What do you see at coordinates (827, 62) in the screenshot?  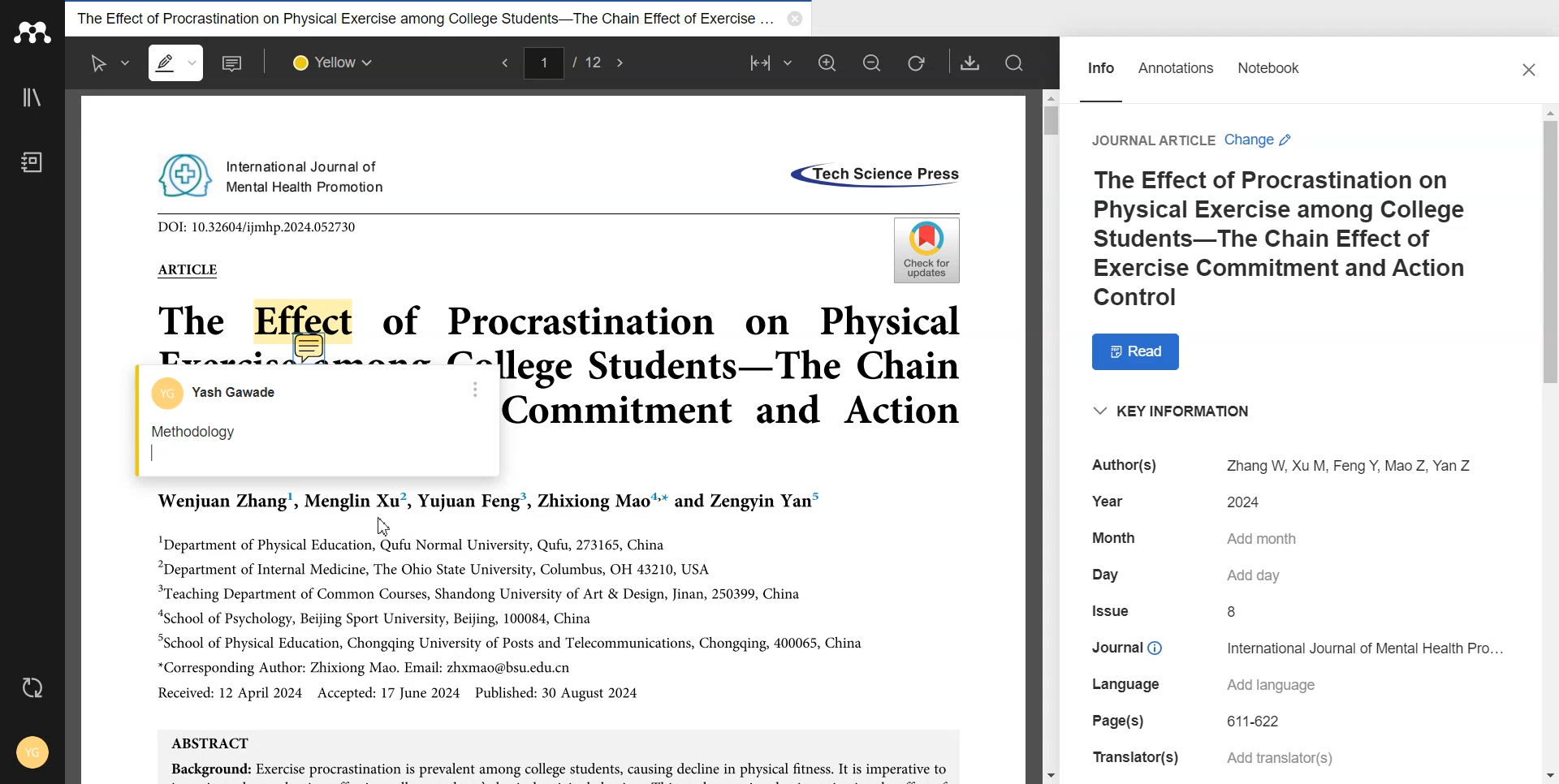 I see `Zoom in` at bounding box center [827, 62].